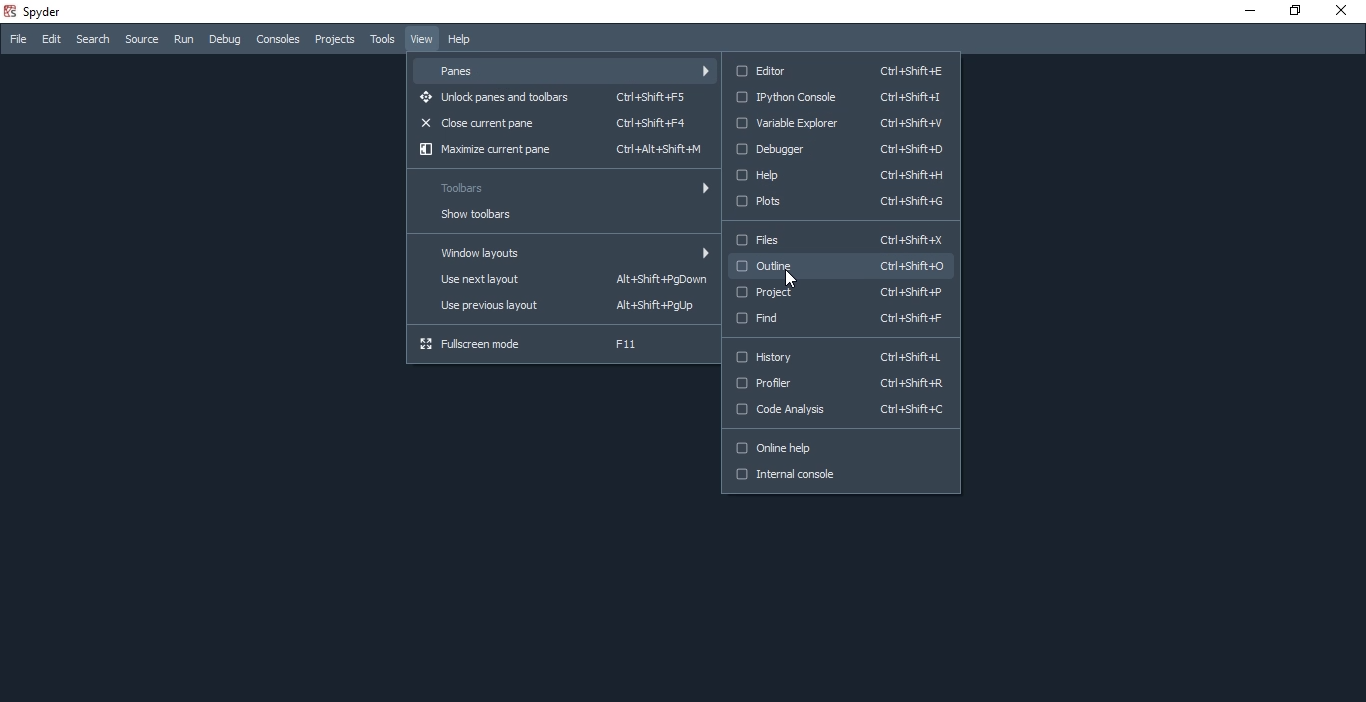 The height and width of the screenshot is (702, 1366). I want to click on minimise, so click(1245, 11).